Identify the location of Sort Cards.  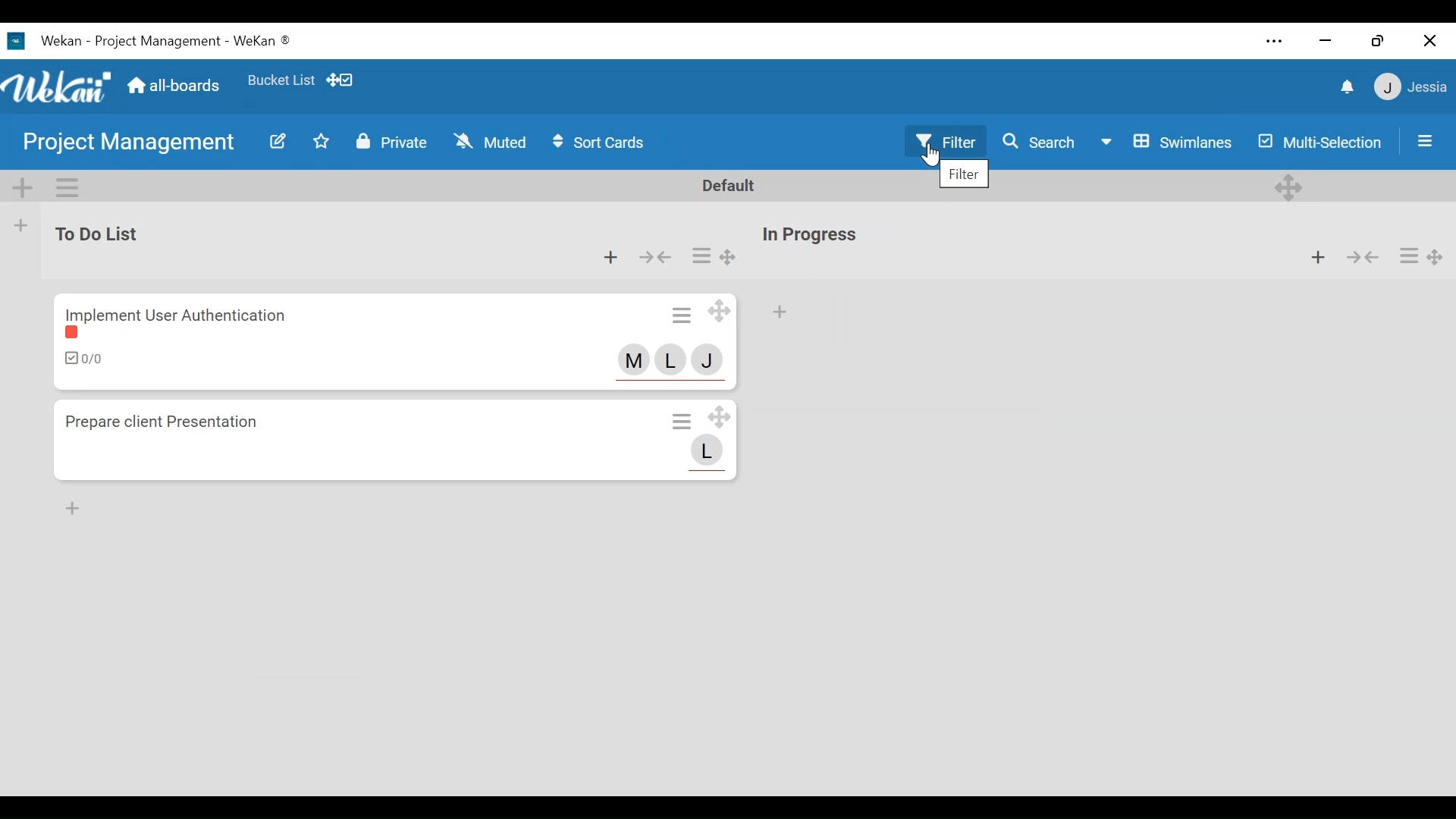
(603, 143).